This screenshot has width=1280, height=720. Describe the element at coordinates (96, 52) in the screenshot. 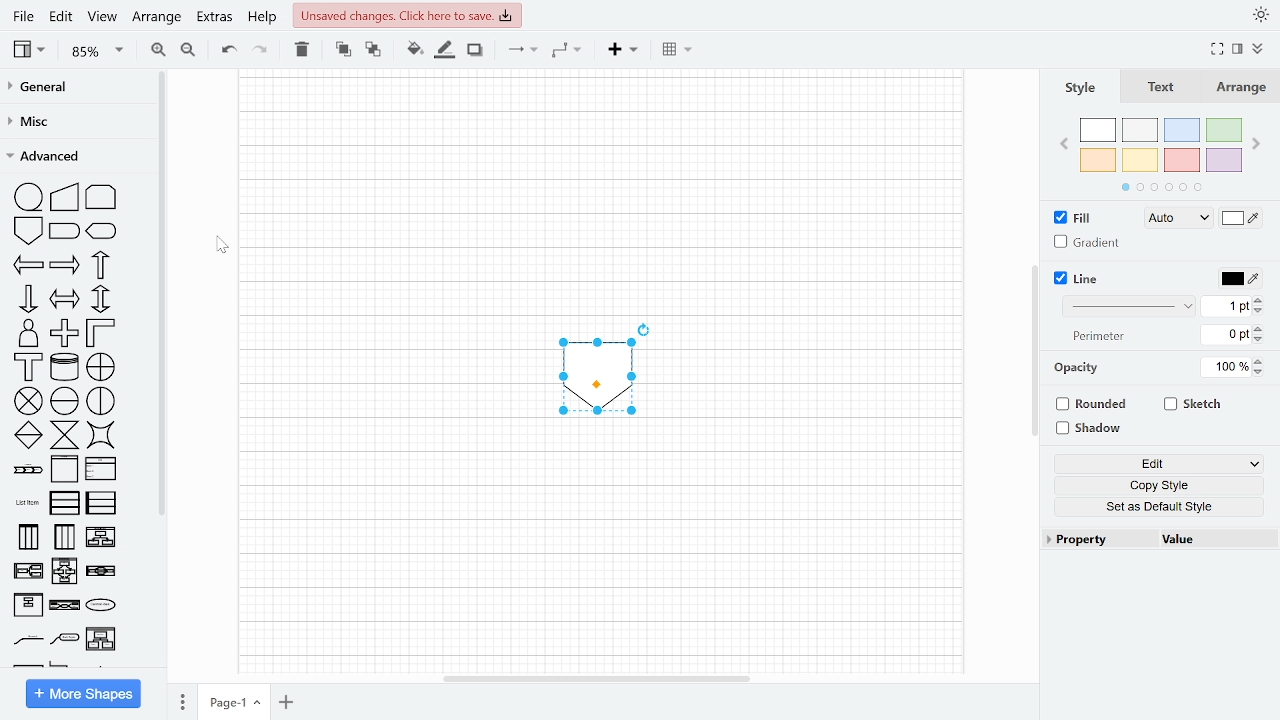

I see `85% - Zoom` at that location.